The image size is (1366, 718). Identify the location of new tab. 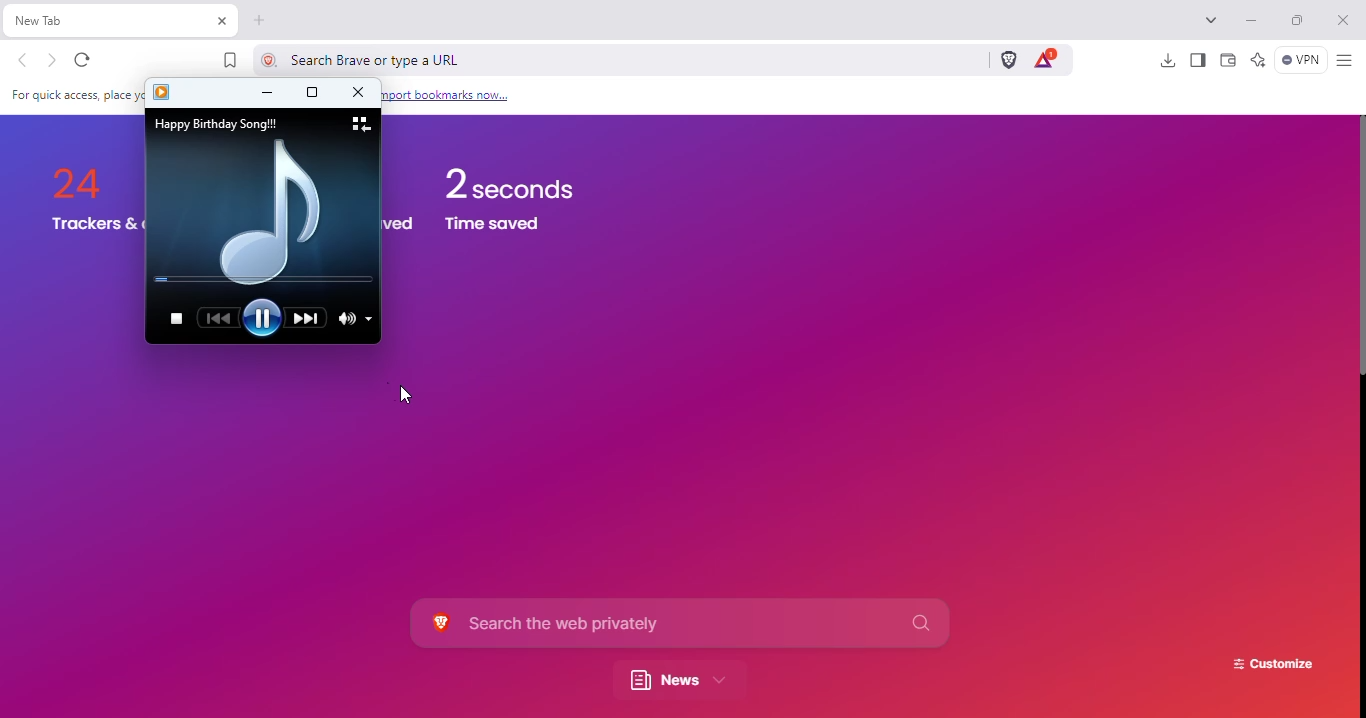
(93, 20).